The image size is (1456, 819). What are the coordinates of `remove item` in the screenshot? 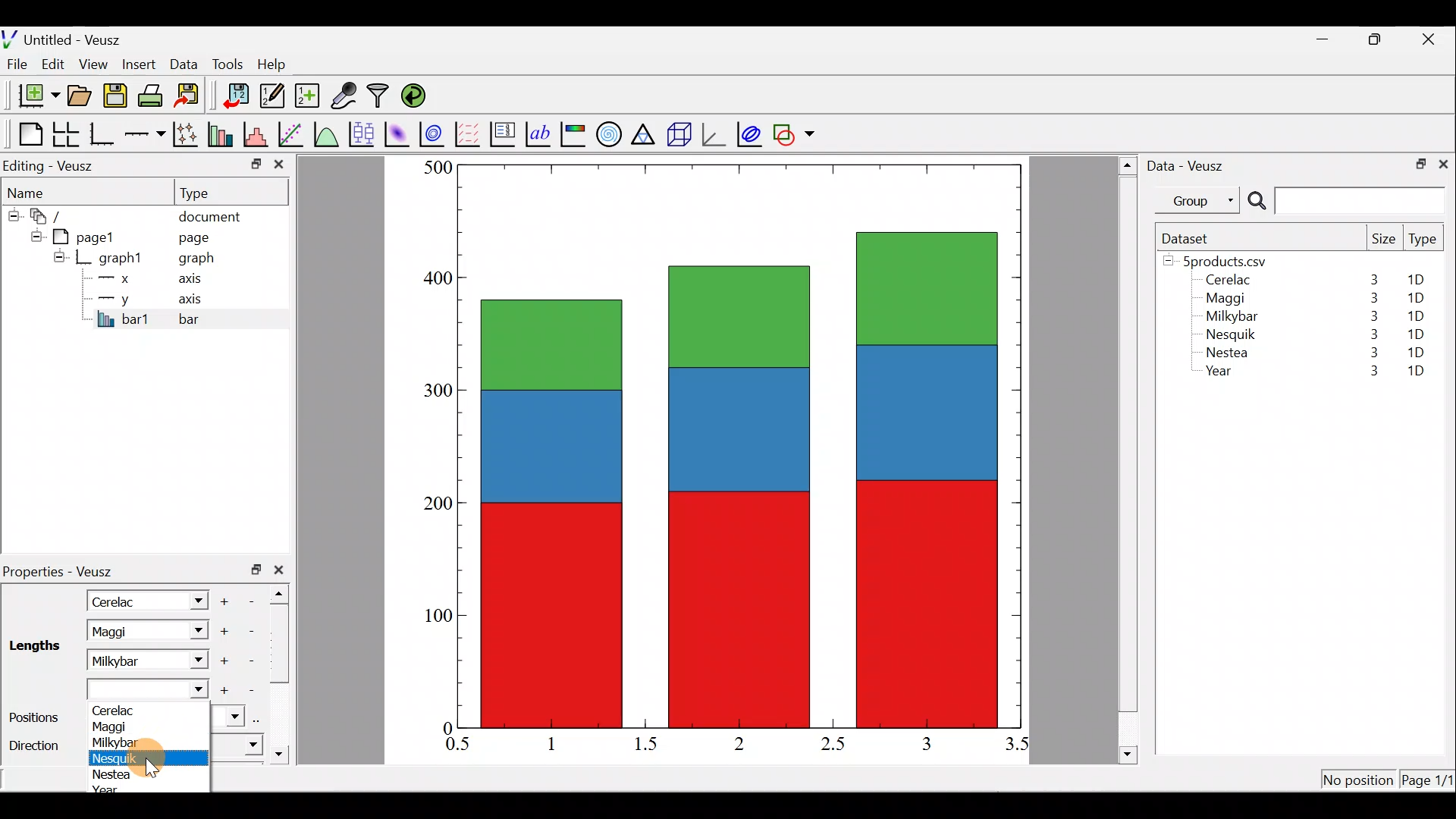 It's located at (250, 631).